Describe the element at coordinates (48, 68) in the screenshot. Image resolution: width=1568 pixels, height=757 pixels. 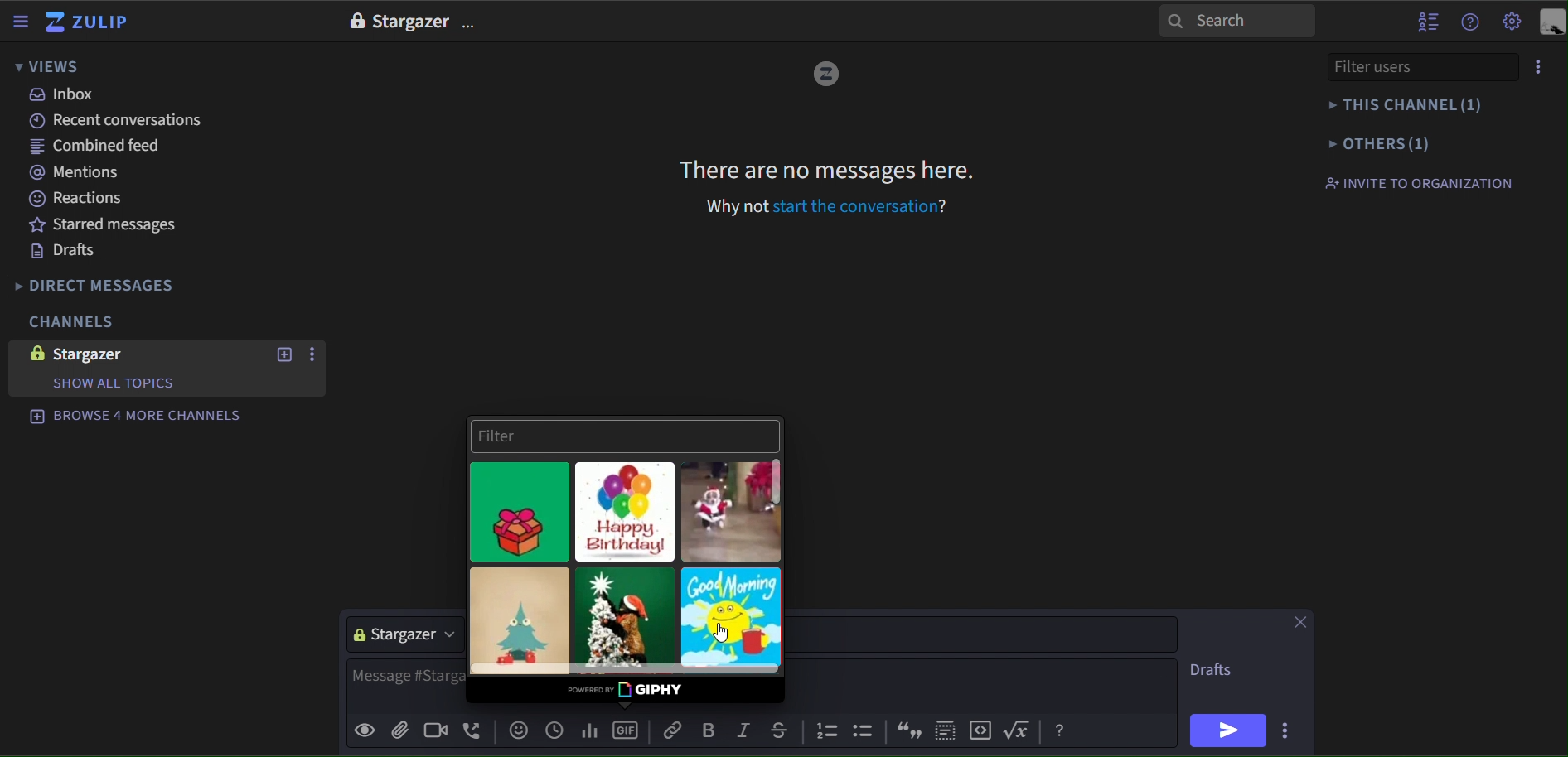
I see `views` at that location.